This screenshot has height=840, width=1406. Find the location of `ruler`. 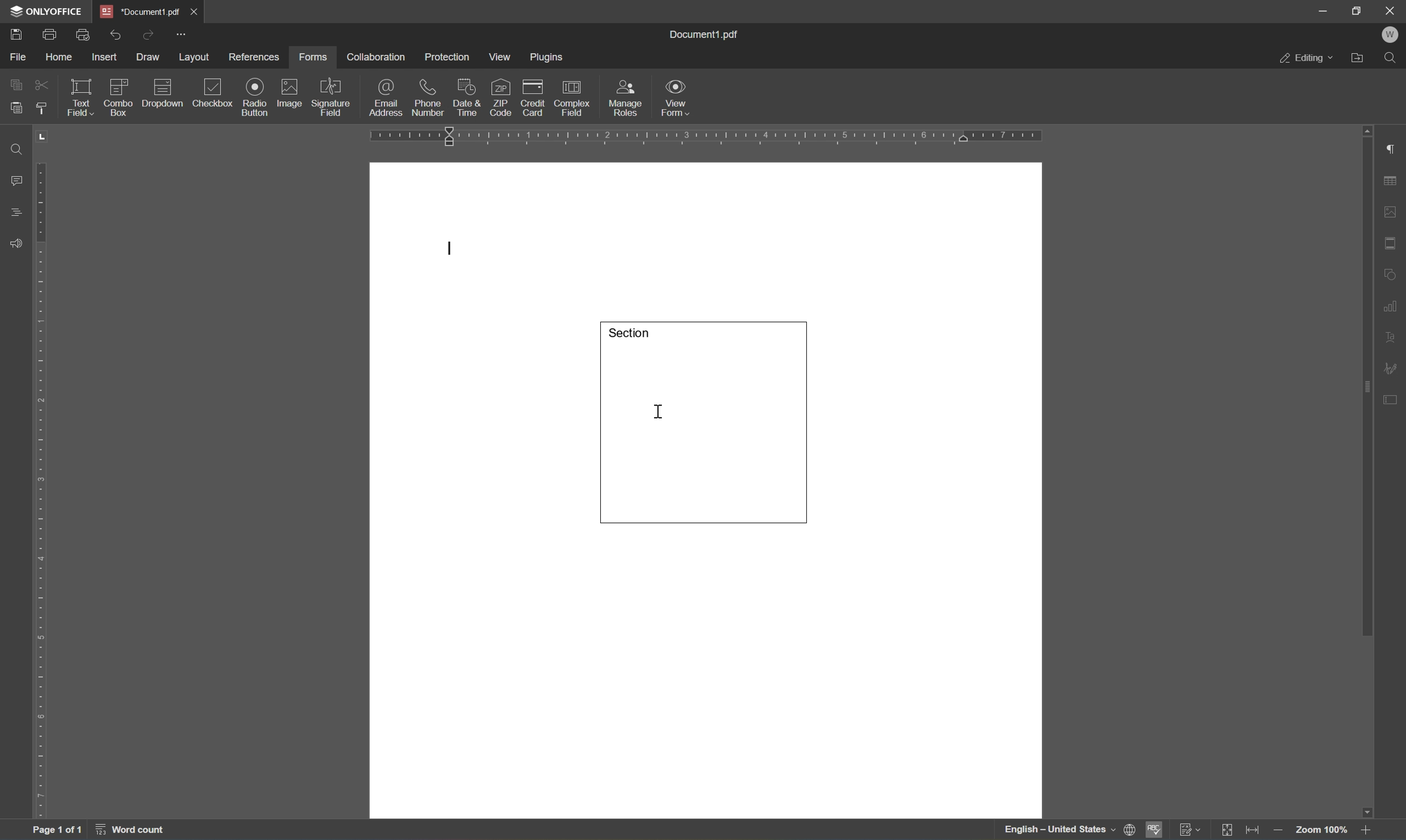

ruler is located at coordinates (706, 138).